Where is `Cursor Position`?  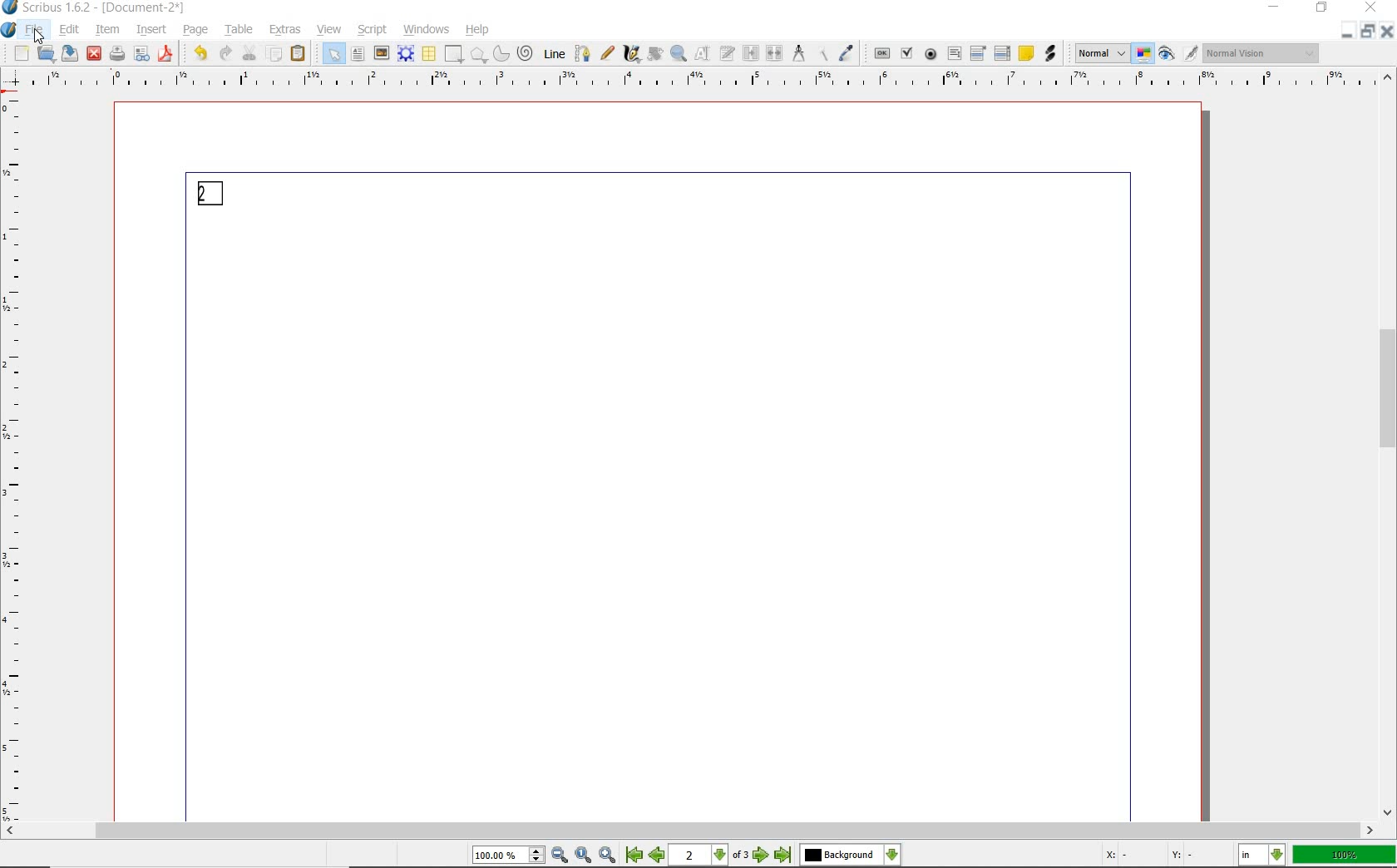
Cursor Position is located at coordinates (38, 36).